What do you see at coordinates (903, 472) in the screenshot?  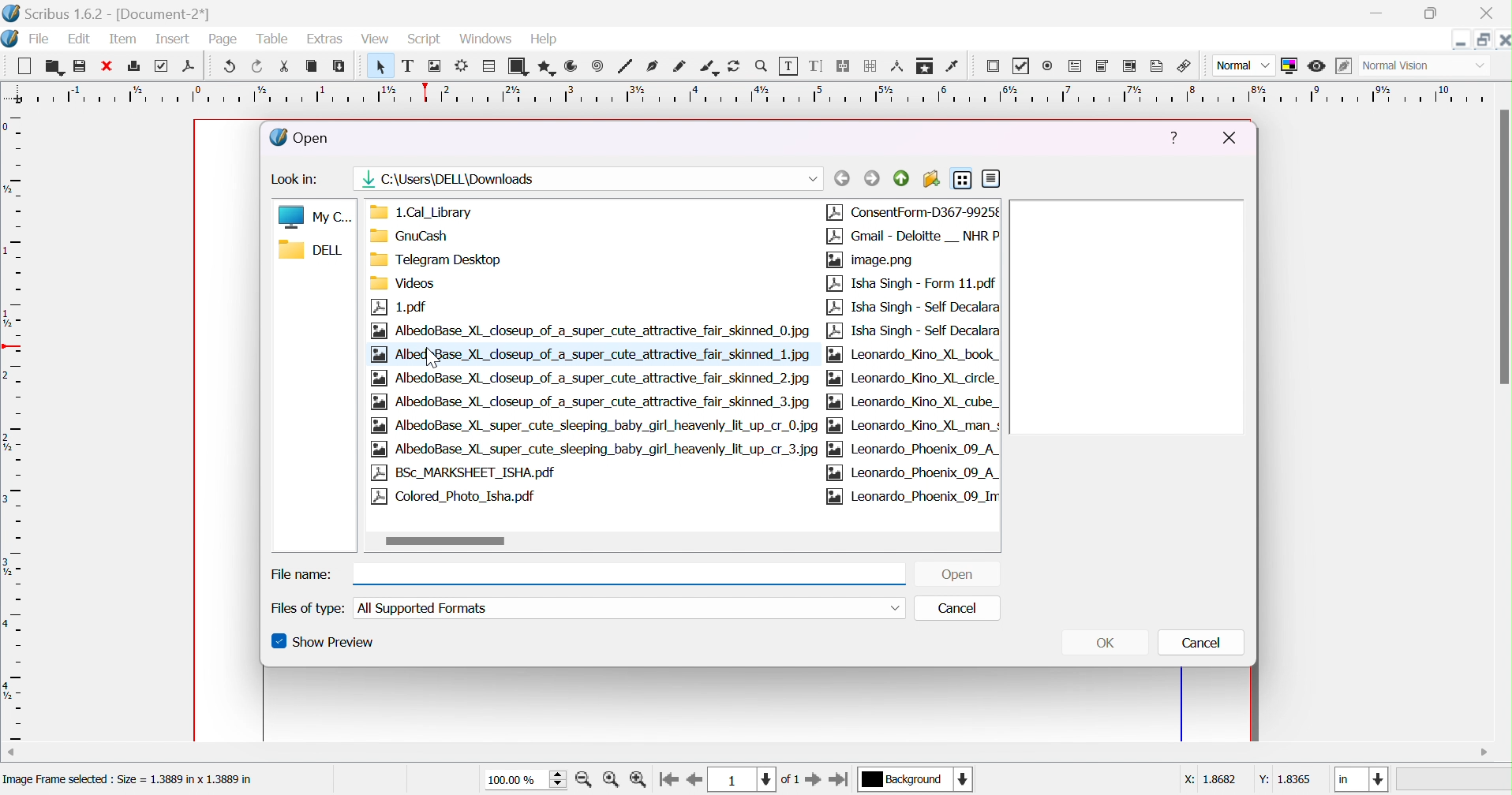 I see `|2a| Leonardo_Phoenix_09_A_|` at bounding box center [903, 472].